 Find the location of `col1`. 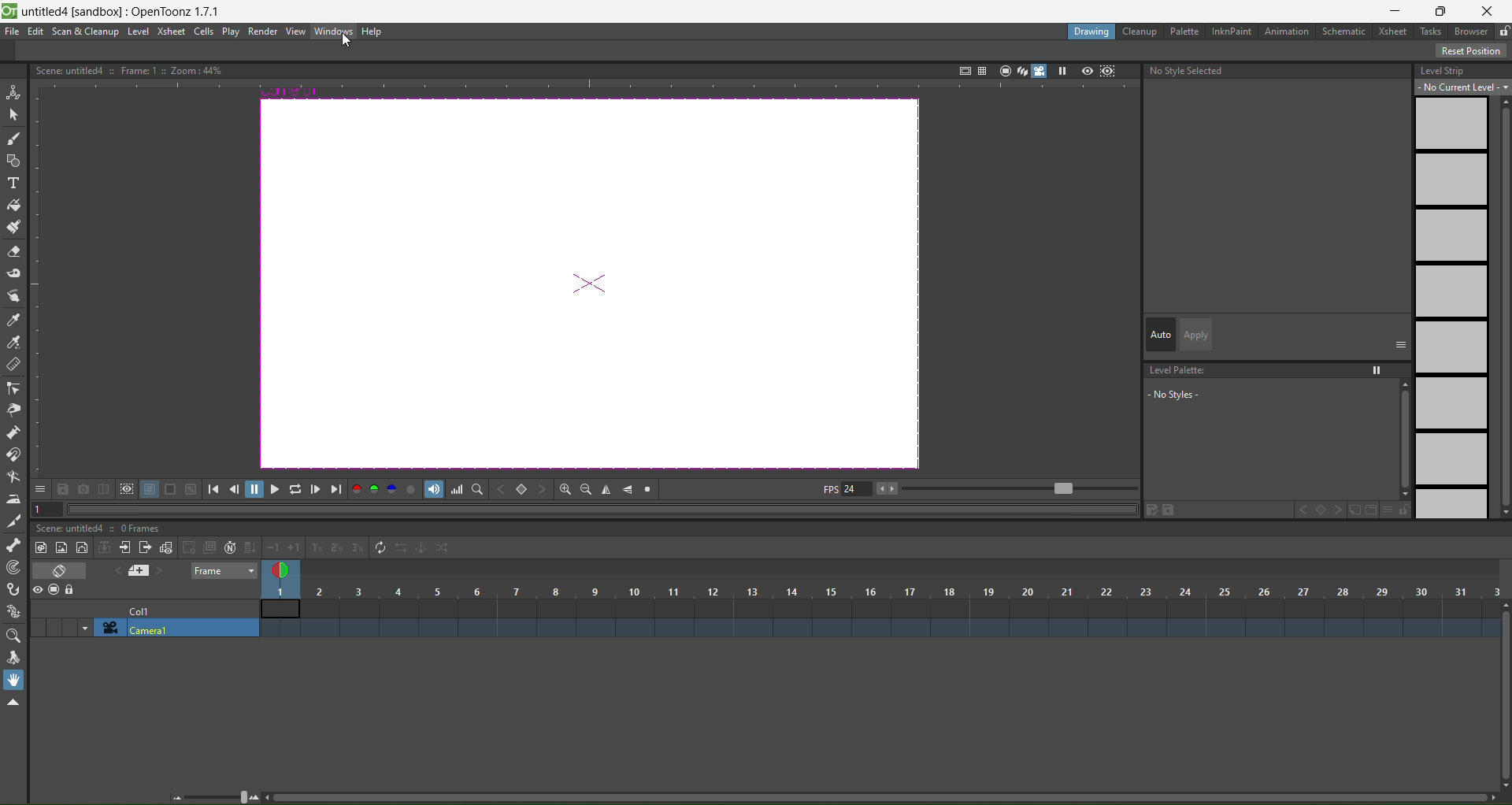

col1 is located at coordinates (147, 610).